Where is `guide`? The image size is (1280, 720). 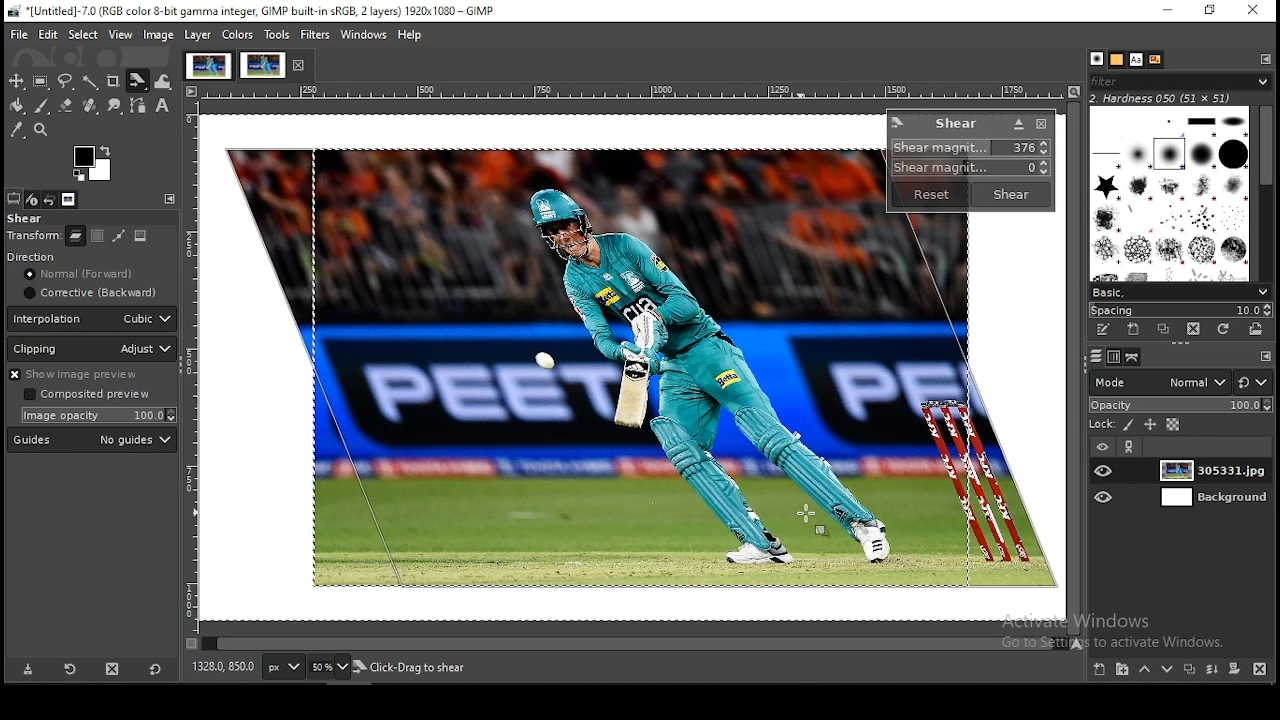 guide is located at coordinates (91, 440).